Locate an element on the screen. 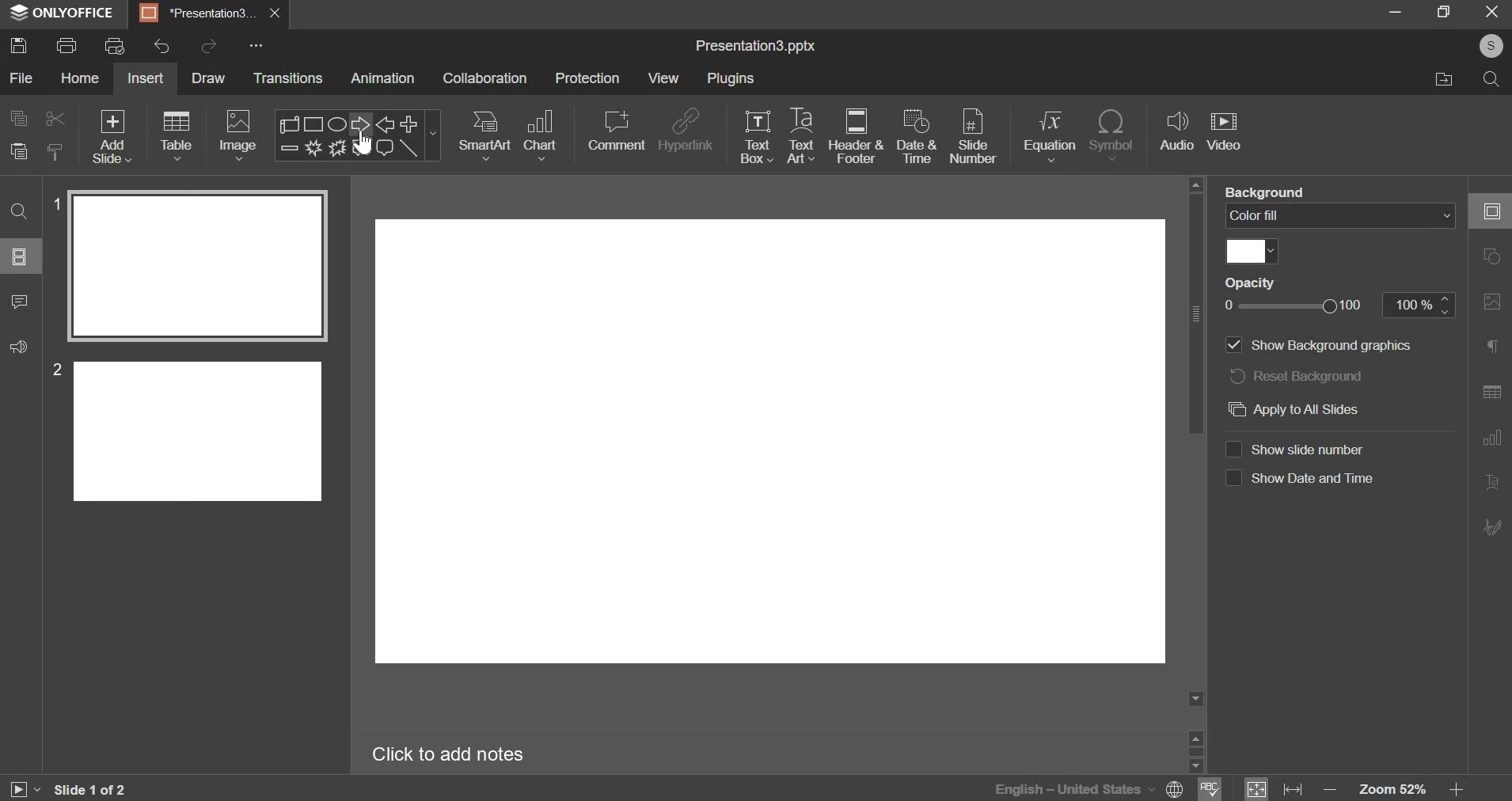 Image resolution: width=1512 pixels, height=801 pixels. vertical scrollbar is located at coordinates (1195, 313).